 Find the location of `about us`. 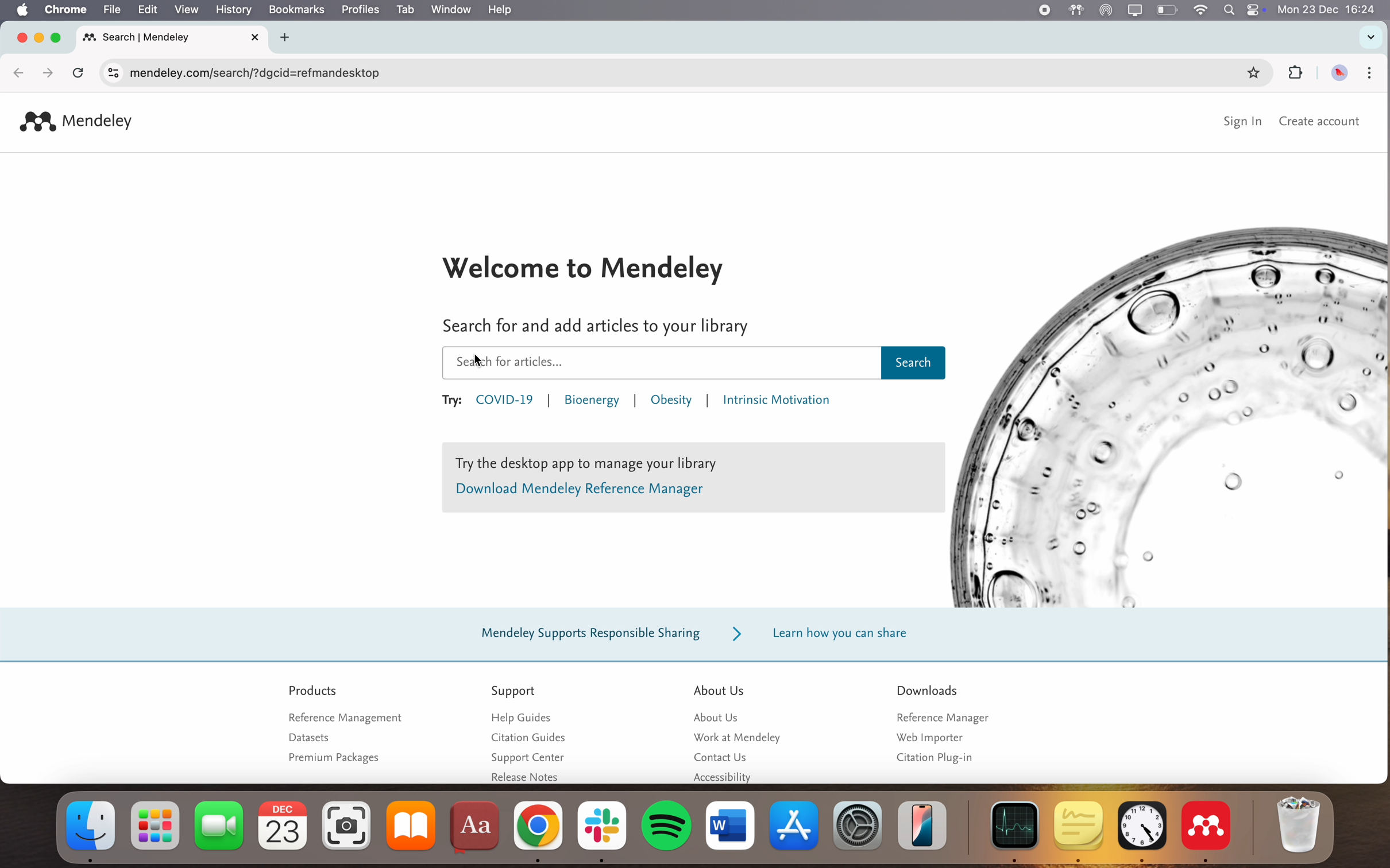

about us is located at coordinates (720, 717).